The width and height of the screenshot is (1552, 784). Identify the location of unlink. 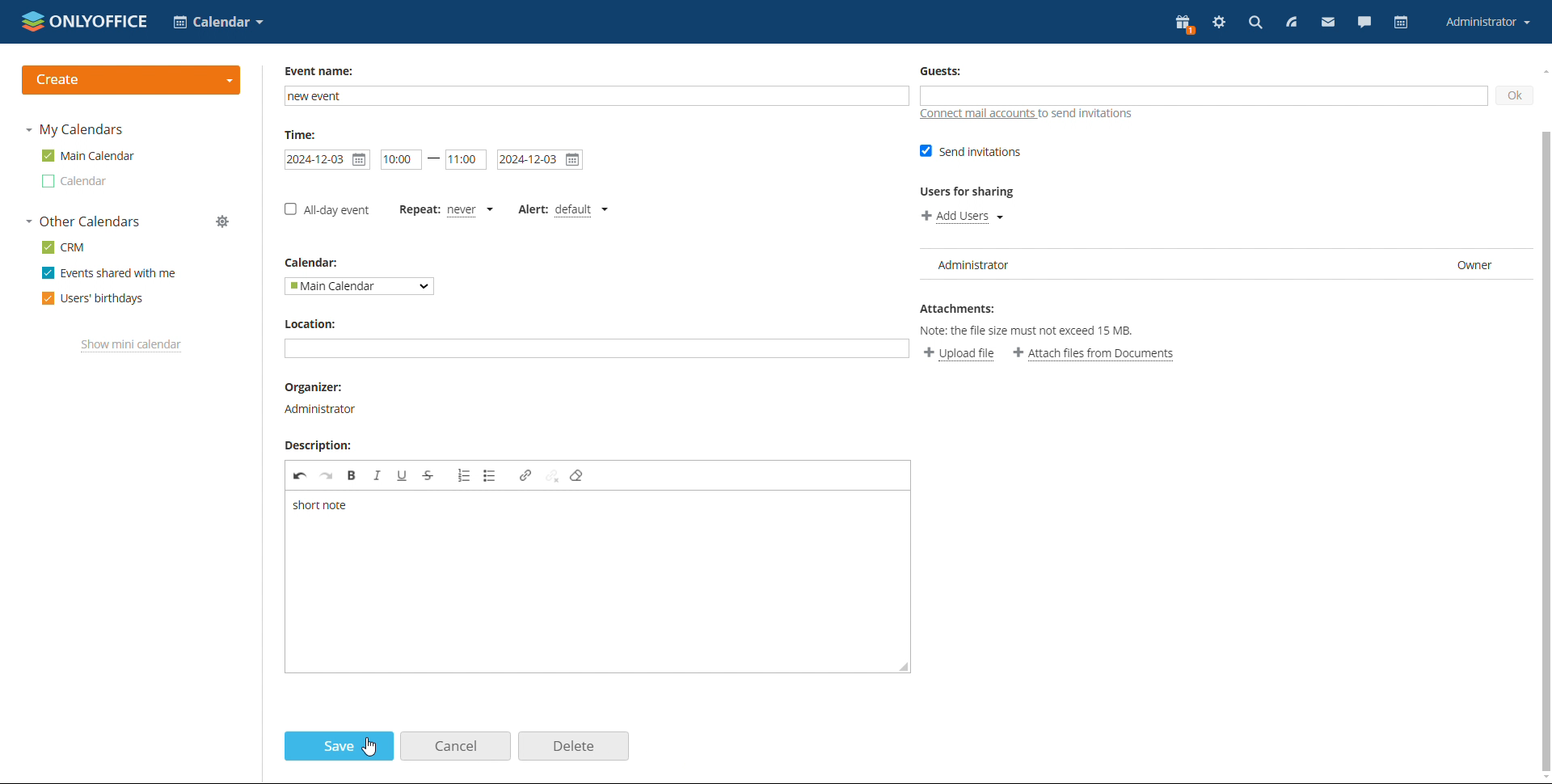
(552, 477).